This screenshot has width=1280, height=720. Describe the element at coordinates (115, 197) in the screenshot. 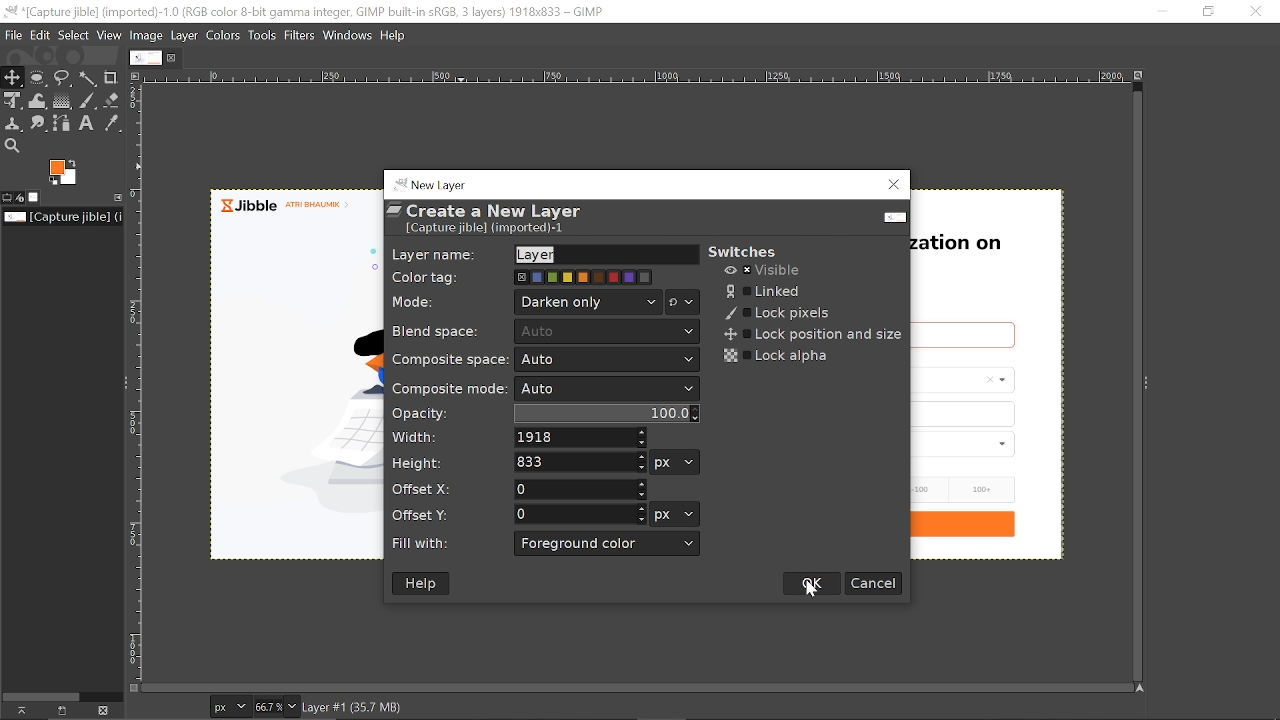

I see `Configure this tab` at that location.